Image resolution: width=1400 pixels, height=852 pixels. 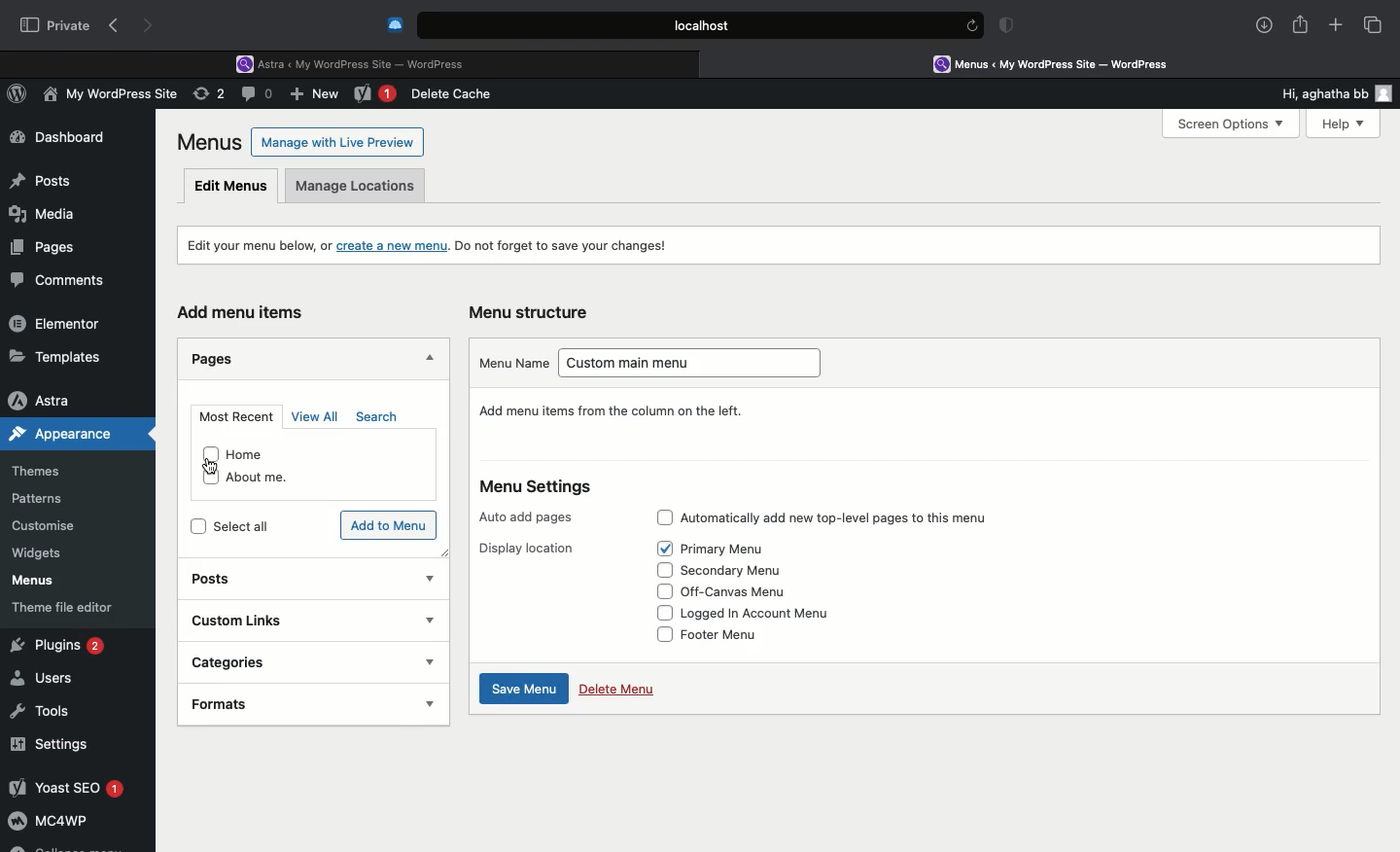 I want to click on Help, so click(x=1335, y=124).